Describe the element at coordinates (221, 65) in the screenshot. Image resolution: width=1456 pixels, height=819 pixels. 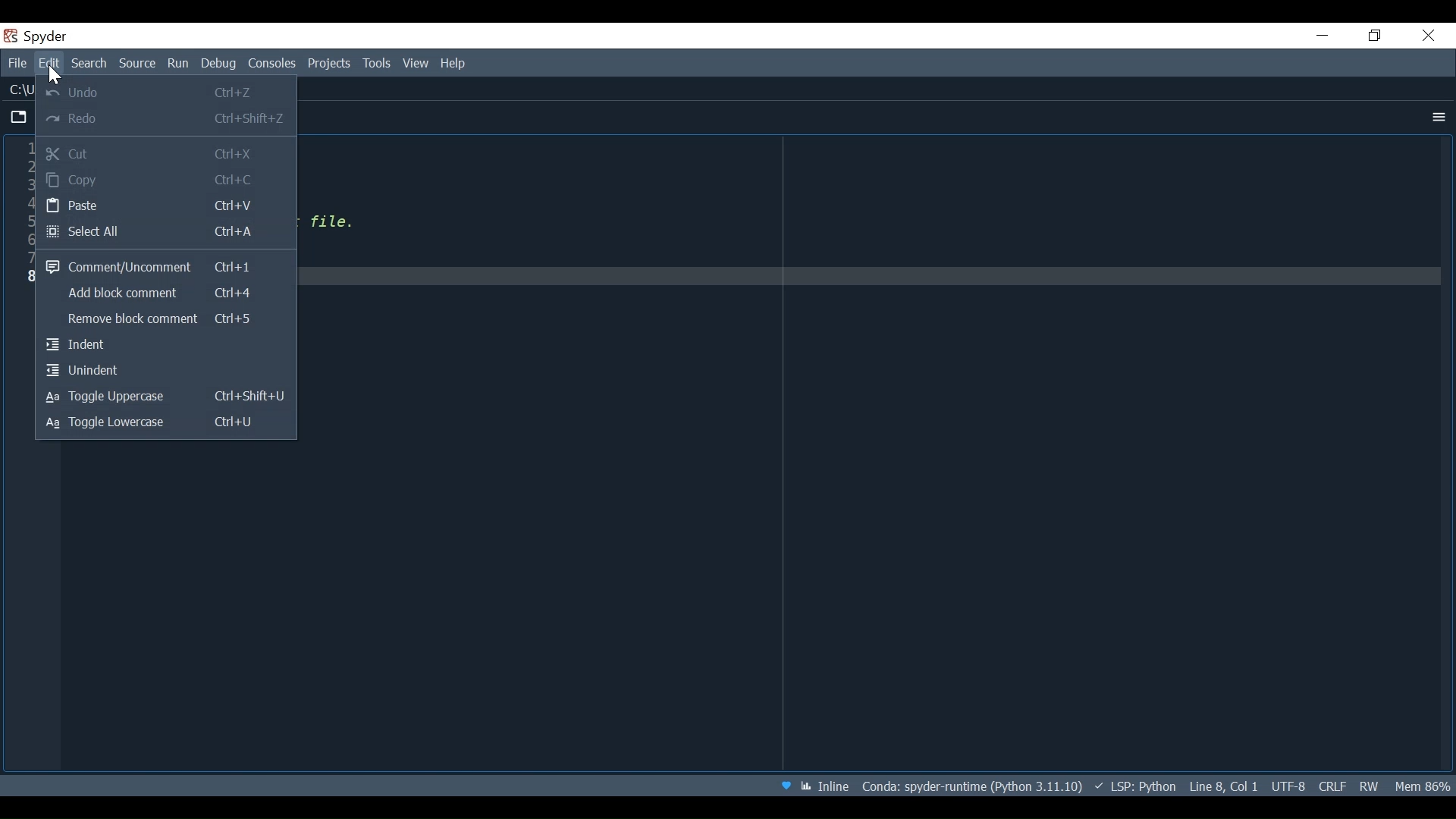
I see `Debug` at that location.